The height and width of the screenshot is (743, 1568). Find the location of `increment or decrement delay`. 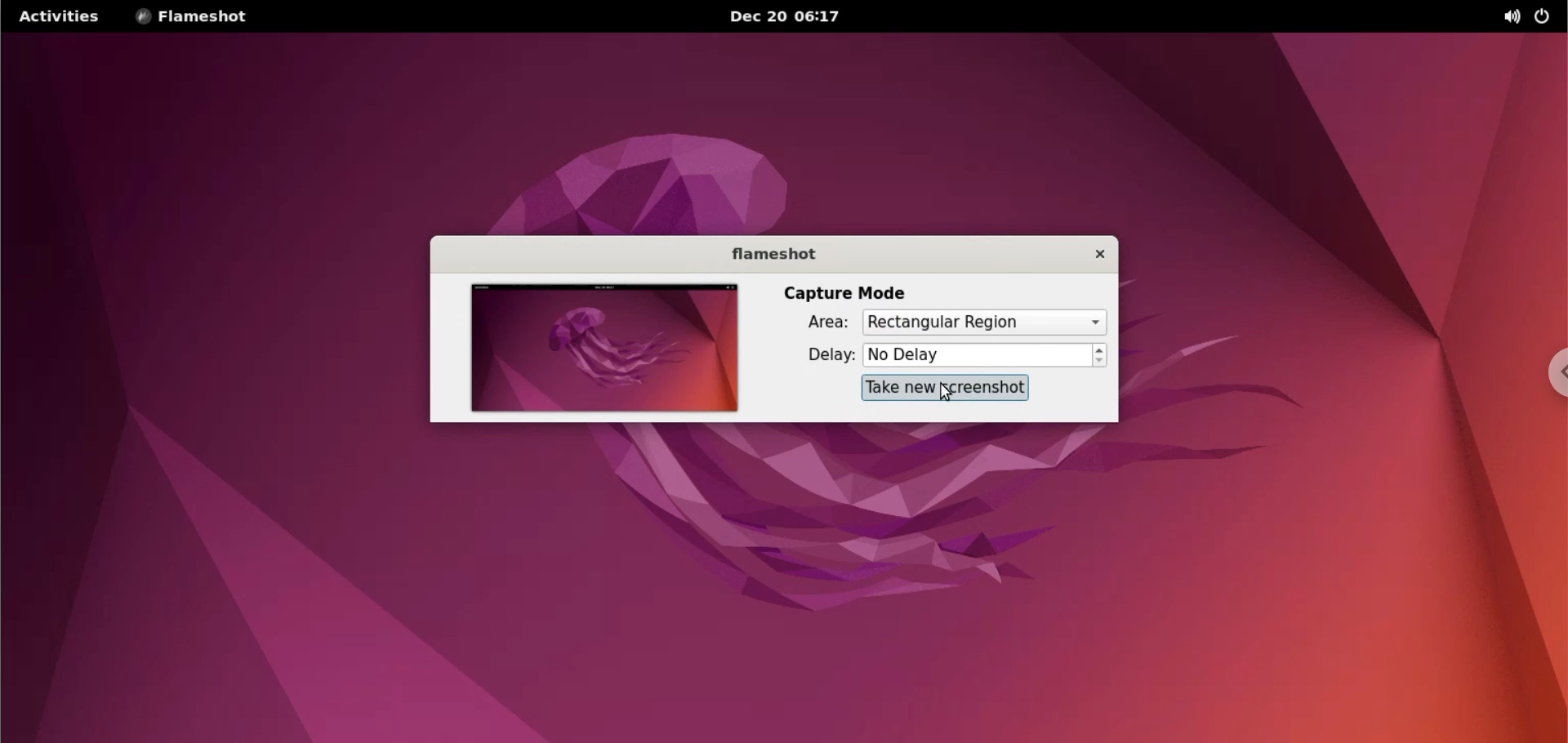

increment or decrement delay is located at coordinates (1100, 354).